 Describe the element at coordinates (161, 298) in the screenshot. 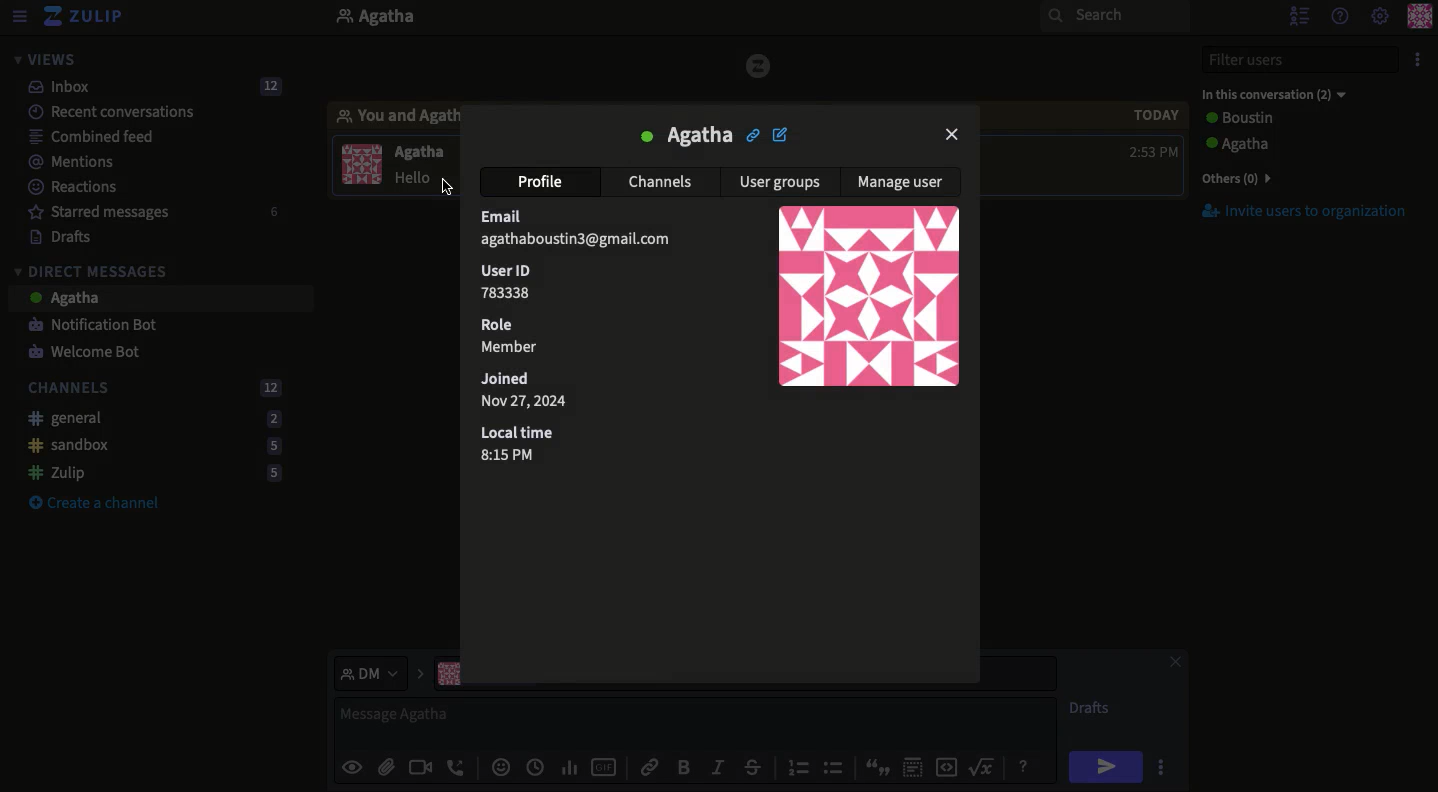

I see `Message` at that location.